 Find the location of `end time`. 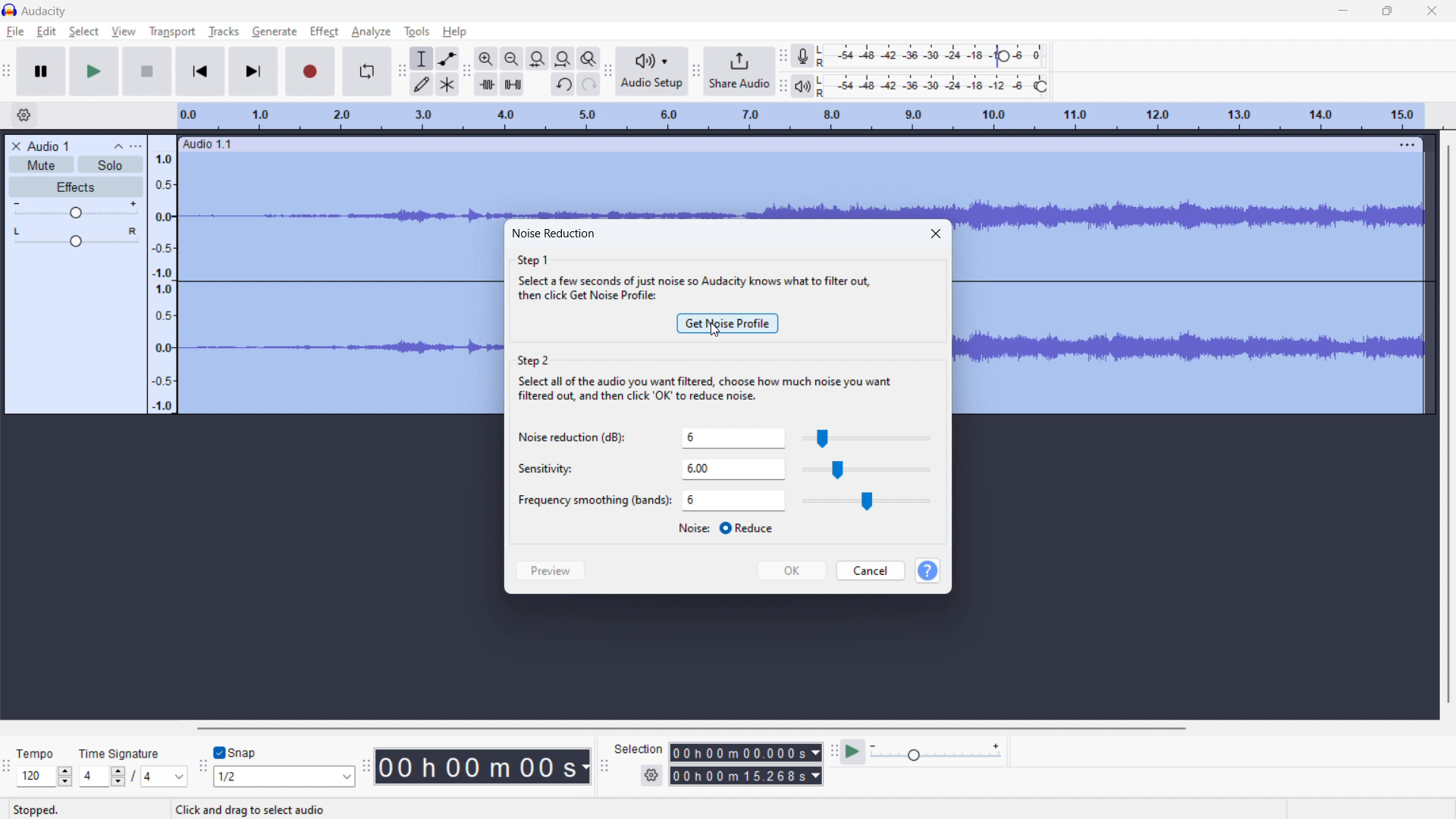

end time is located at coordinates (745, 775).